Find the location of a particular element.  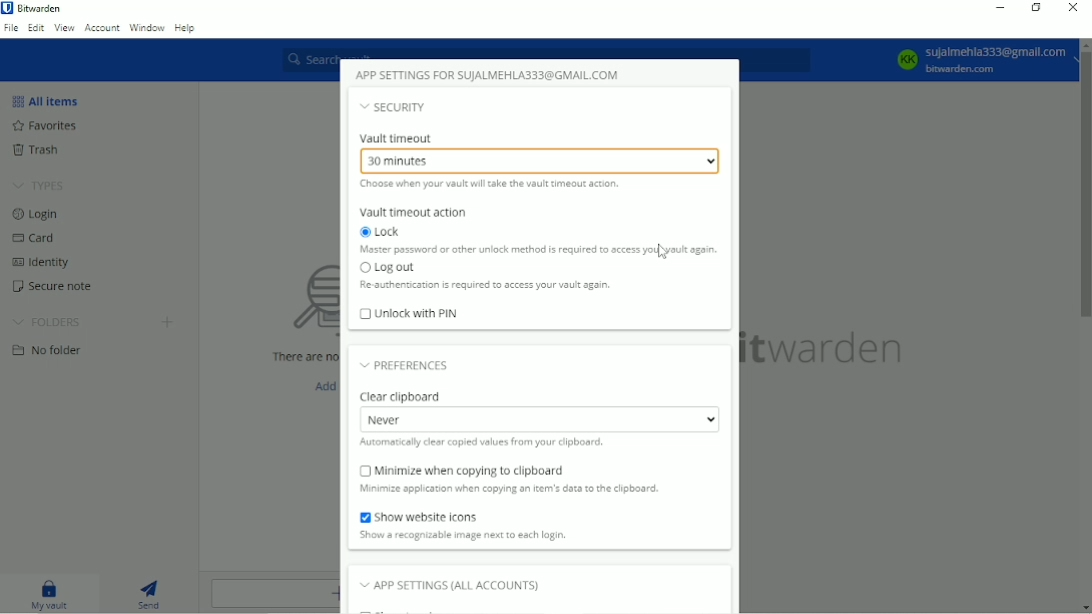

bitwarden is located at coordinates (829, 350).